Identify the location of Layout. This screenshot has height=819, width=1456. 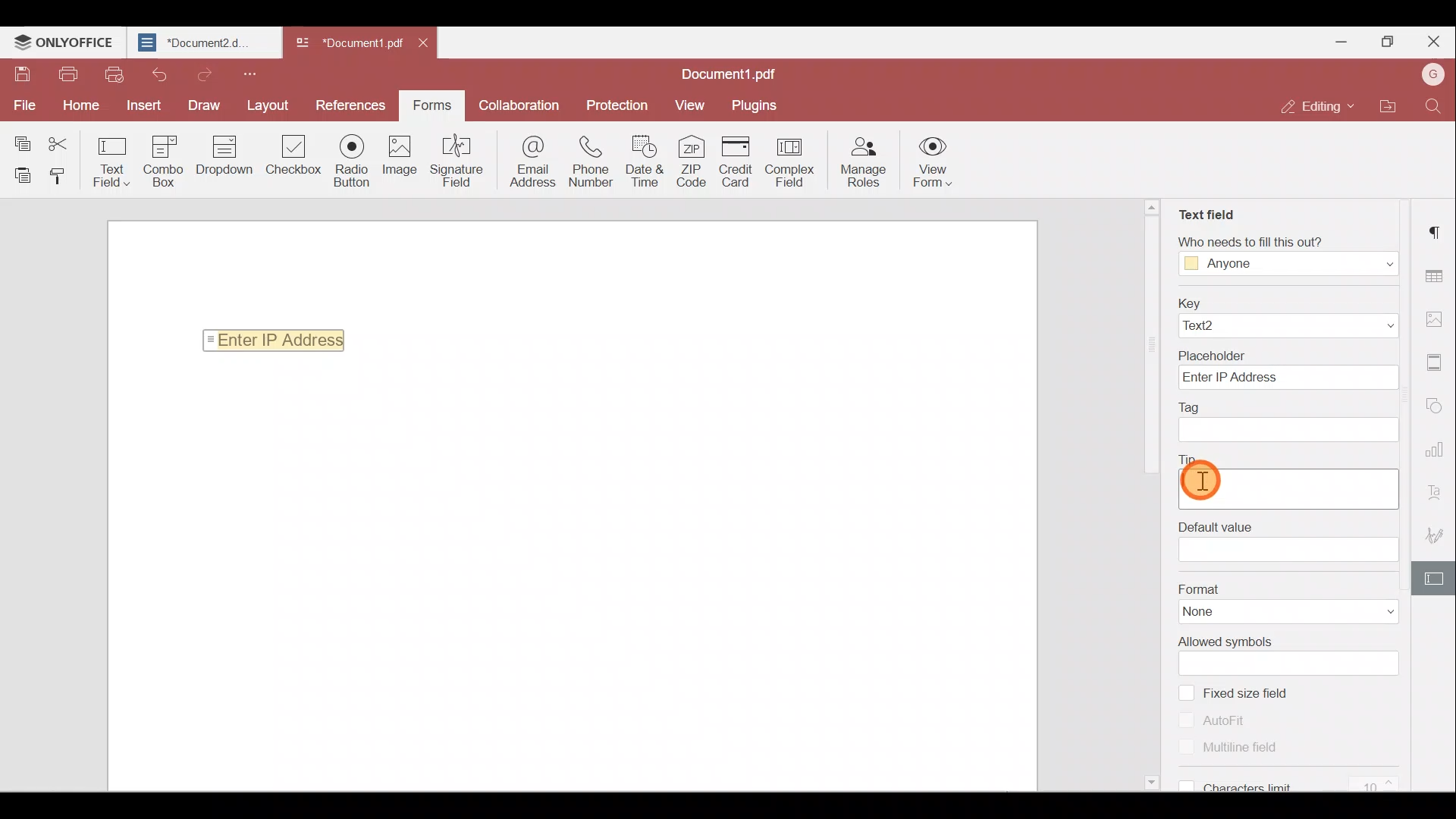
(267, 104).